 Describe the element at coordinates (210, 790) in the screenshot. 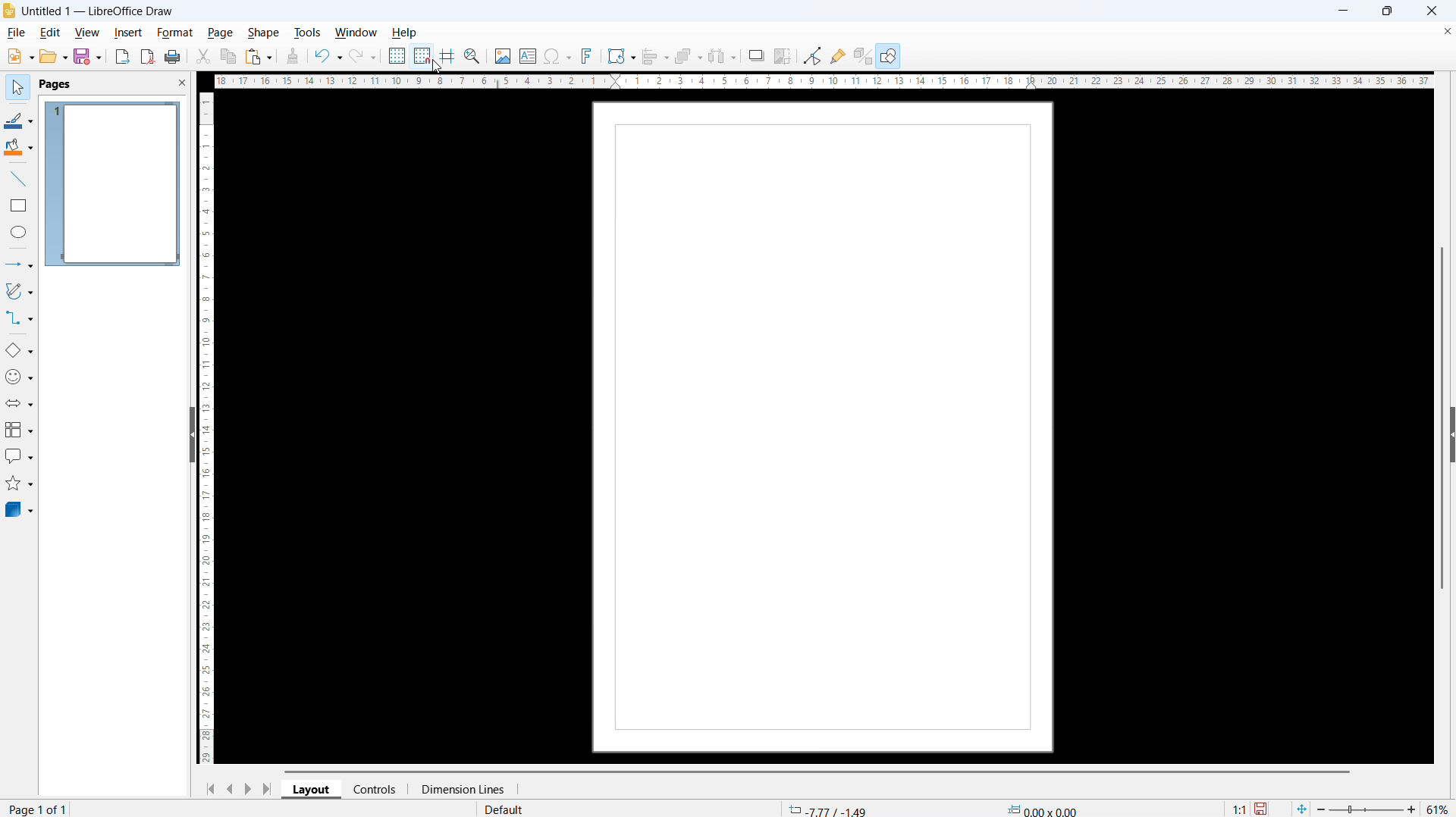

I see `Go to first page` at that location.